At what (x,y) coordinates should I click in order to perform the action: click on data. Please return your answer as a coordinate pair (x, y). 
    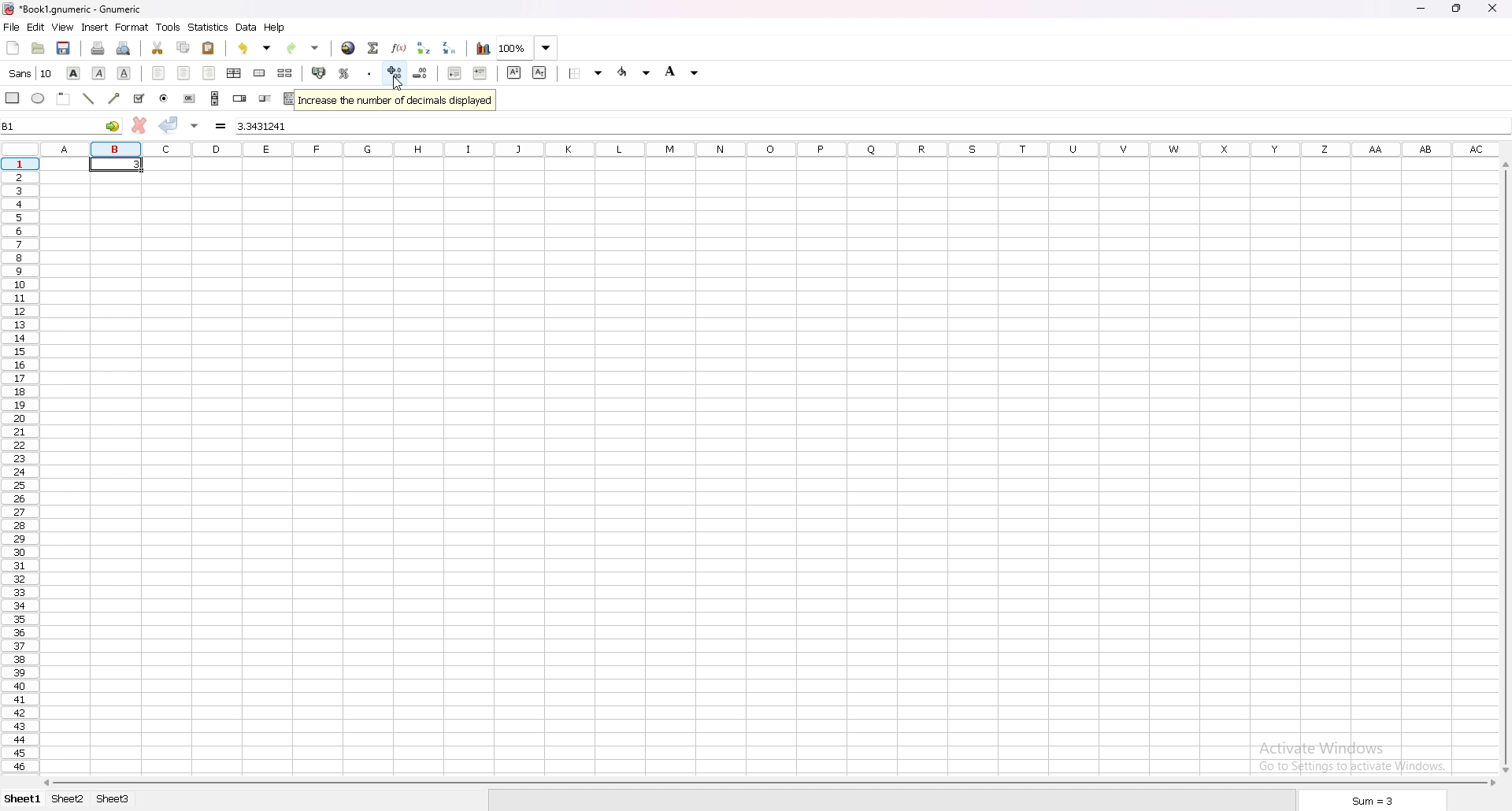
    Looking at the image, I should click on (247, 27).